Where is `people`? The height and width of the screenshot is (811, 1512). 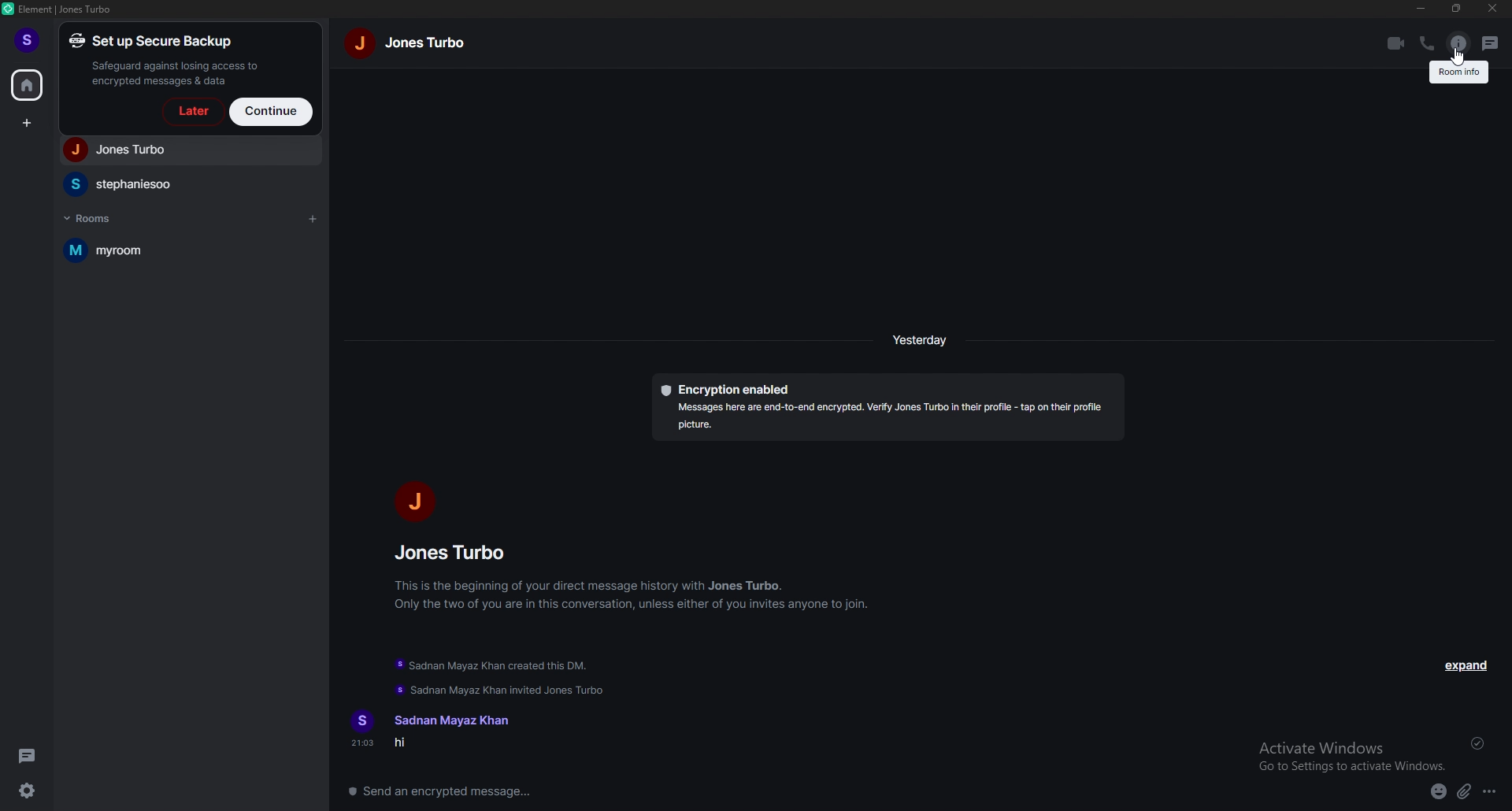
people is located at coordinates (455, 552).